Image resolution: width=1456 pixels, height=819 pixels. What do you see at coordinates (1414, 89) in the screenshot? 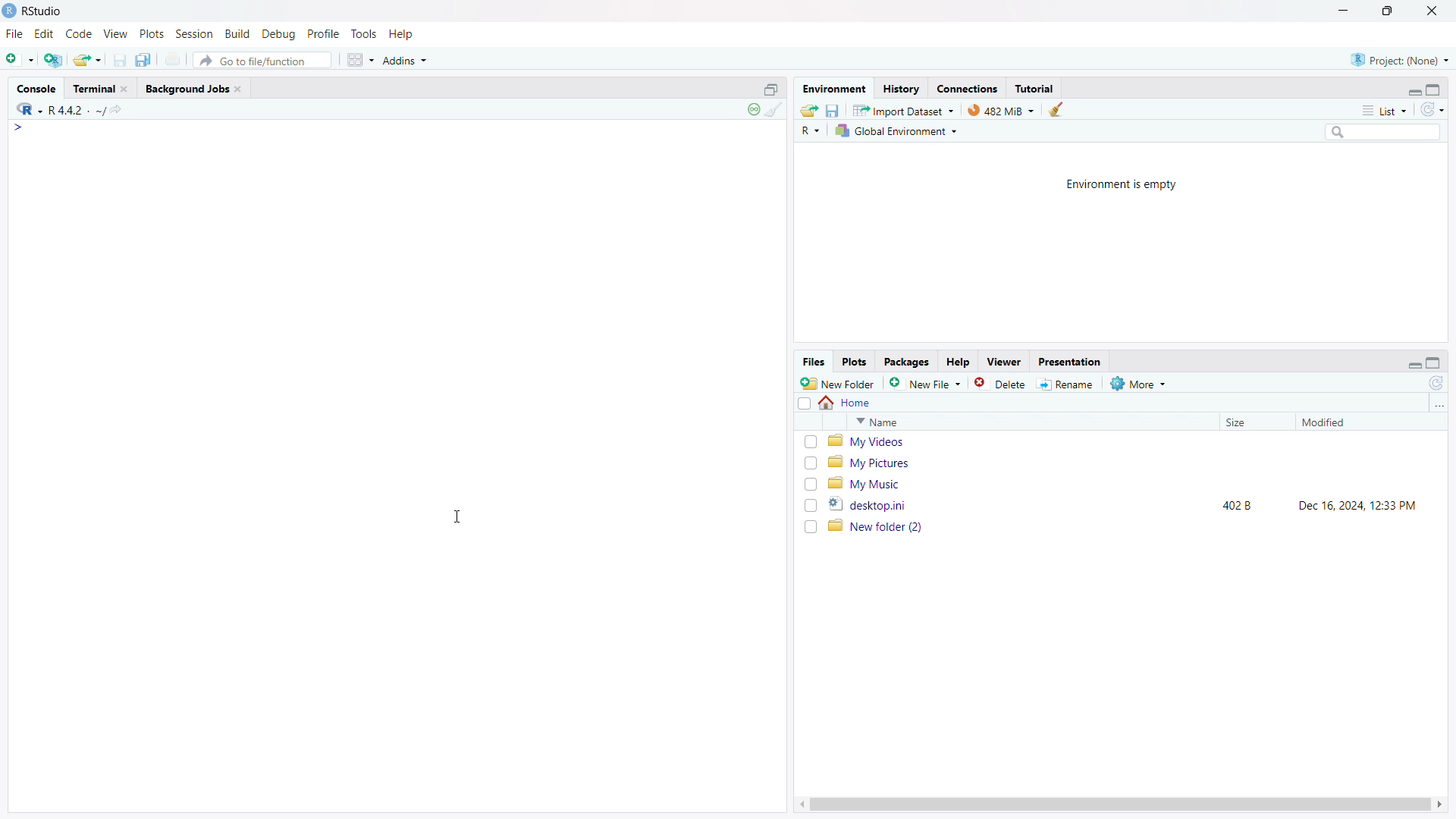
I see `minimize pane` at bounding box center [1414, 89].